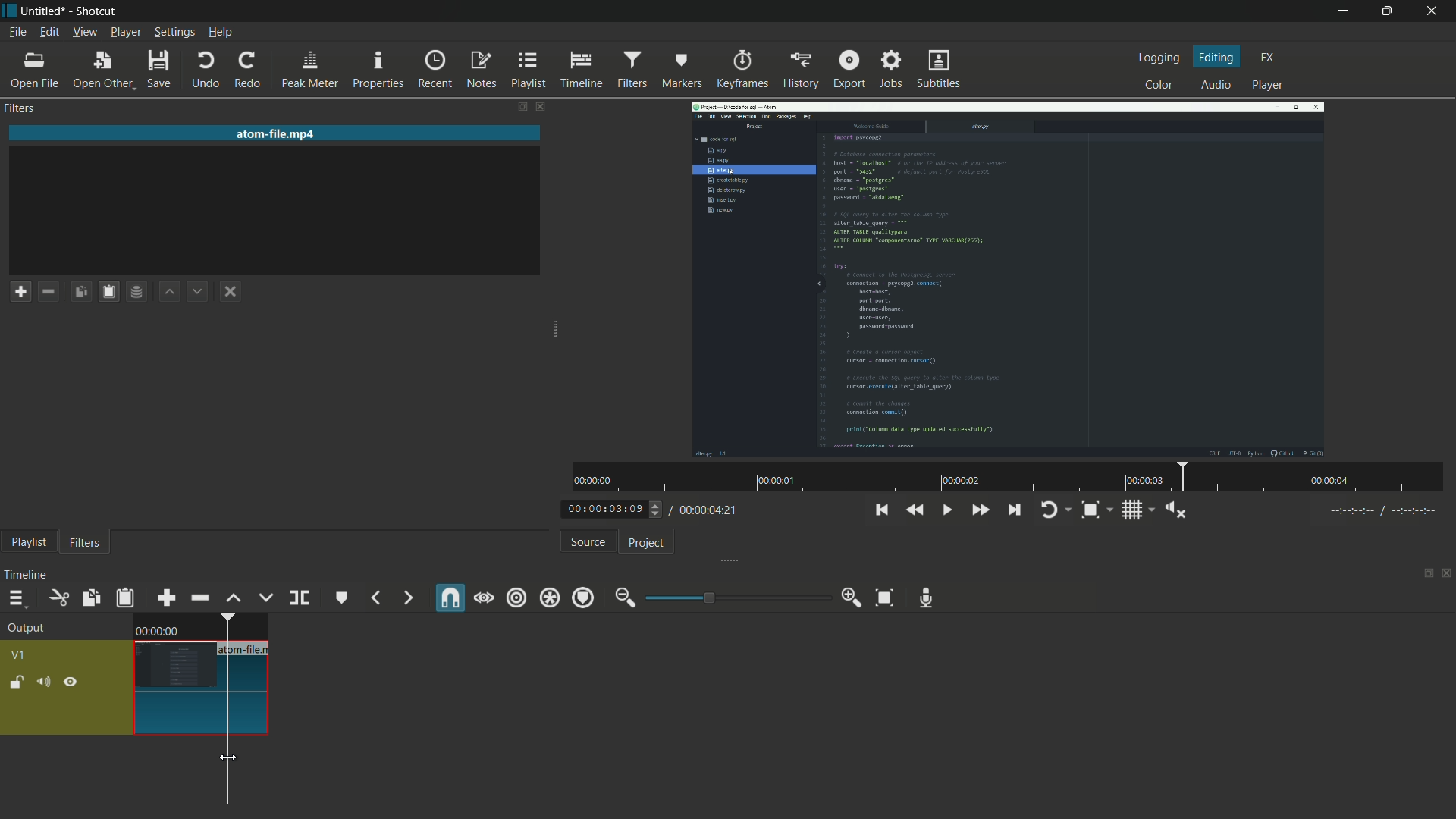 The width and height of the screenshot is (1456, 819). What do you see at coordinates (681, 71) in the screenshot?
I see `markers` at bounding box center [681, 71].